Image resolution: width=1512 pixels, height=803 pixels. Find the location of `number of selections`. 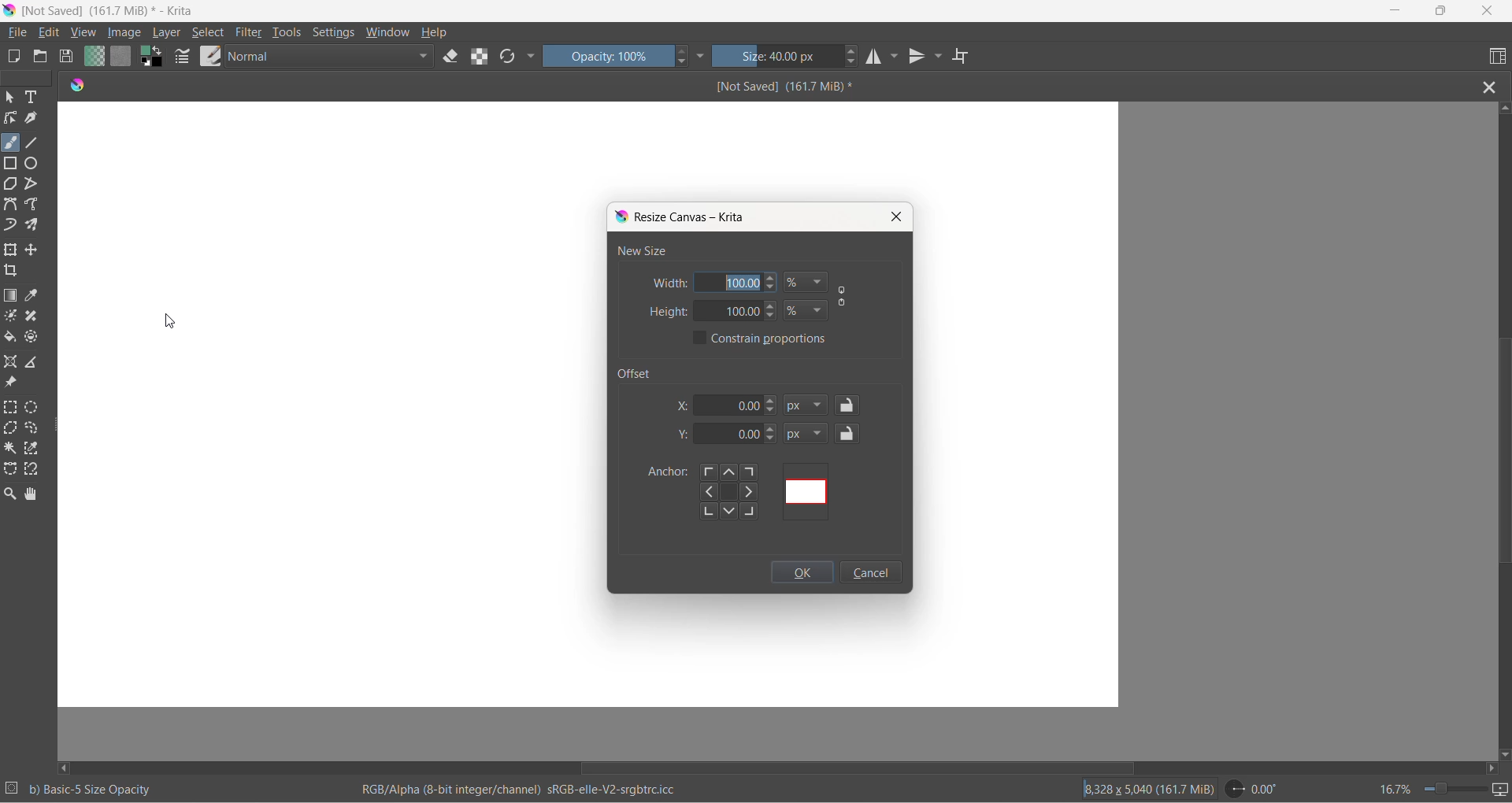

number of selections is located at coordinates (12, 790).